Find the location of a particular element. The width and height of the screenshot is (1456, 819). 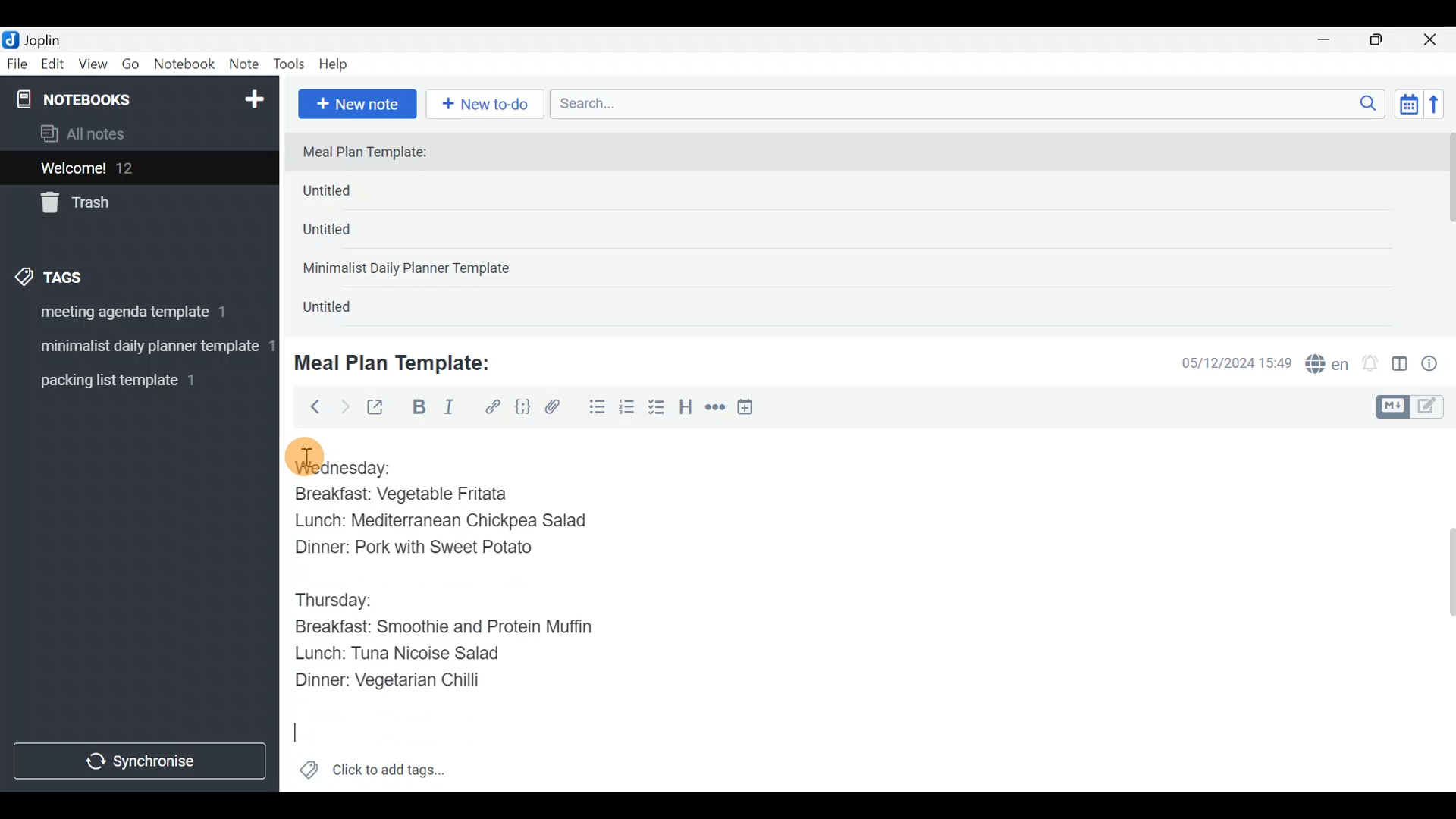

Close is located at coordinates (1432, 41).